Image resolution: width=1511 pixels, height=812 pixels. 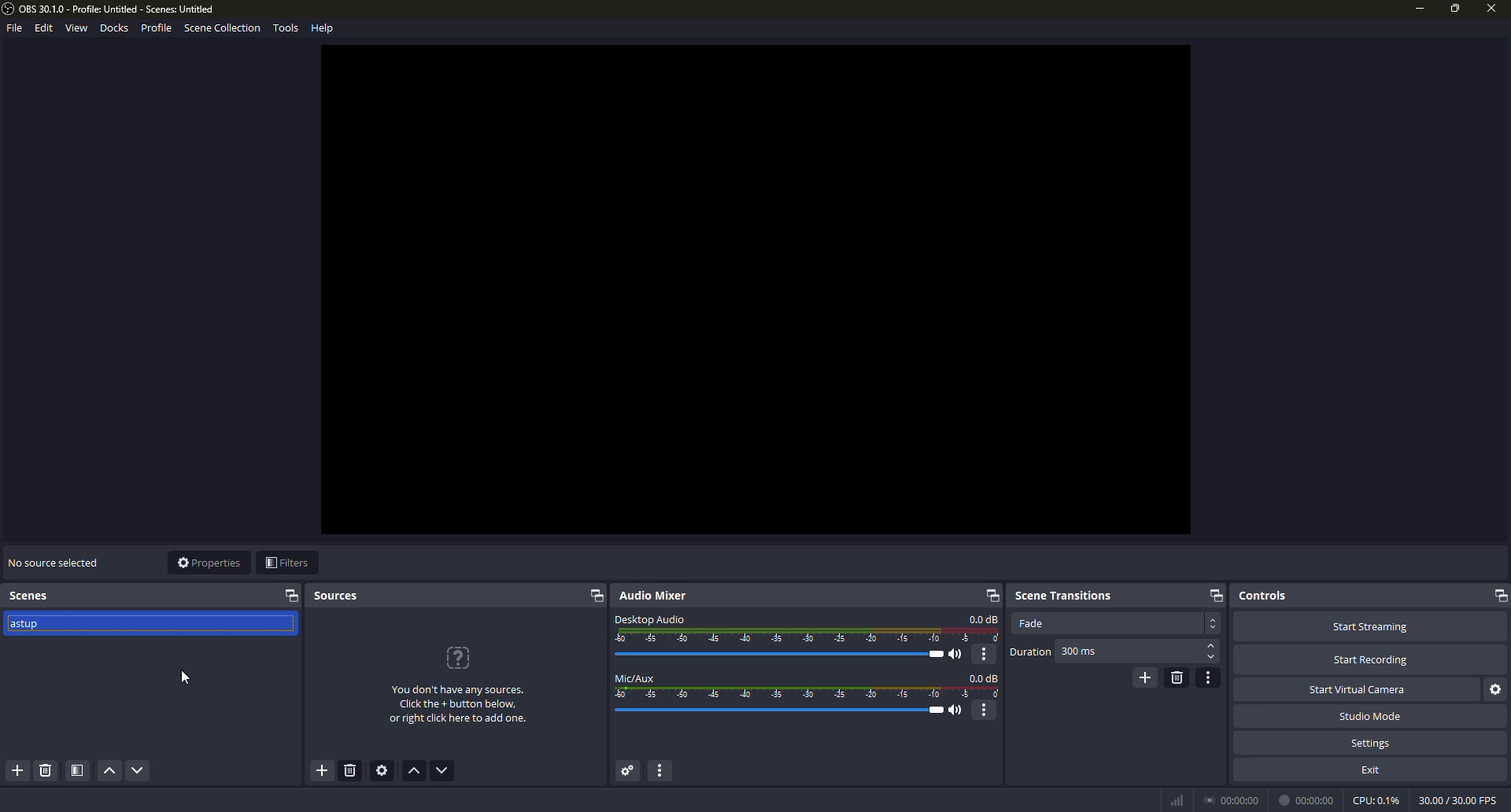 I want to click on scene collection, so click(x=222, y=30).